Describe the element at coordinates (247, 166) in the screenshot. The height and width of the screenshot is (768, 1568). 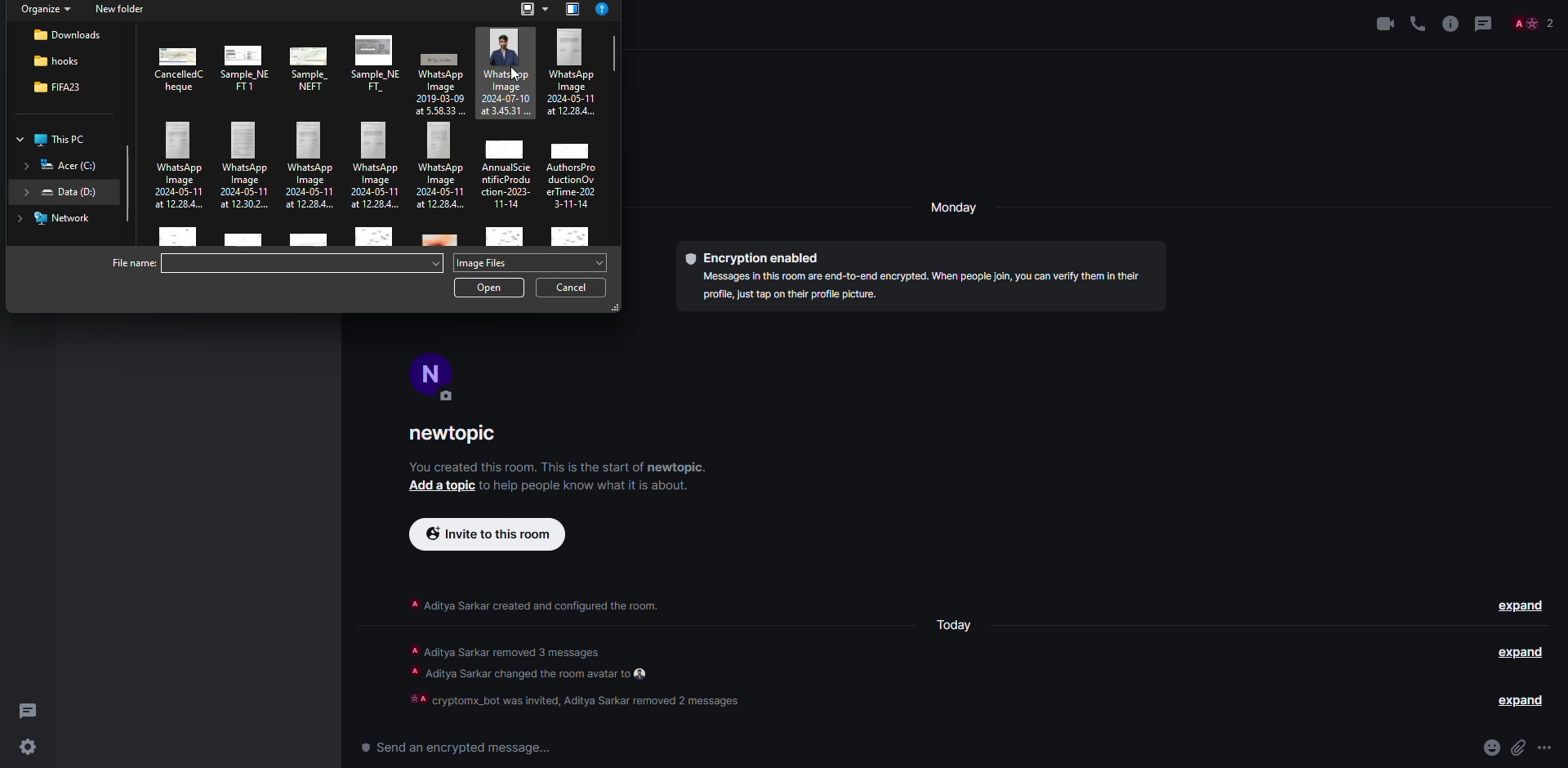
I see `click to select` at that location.